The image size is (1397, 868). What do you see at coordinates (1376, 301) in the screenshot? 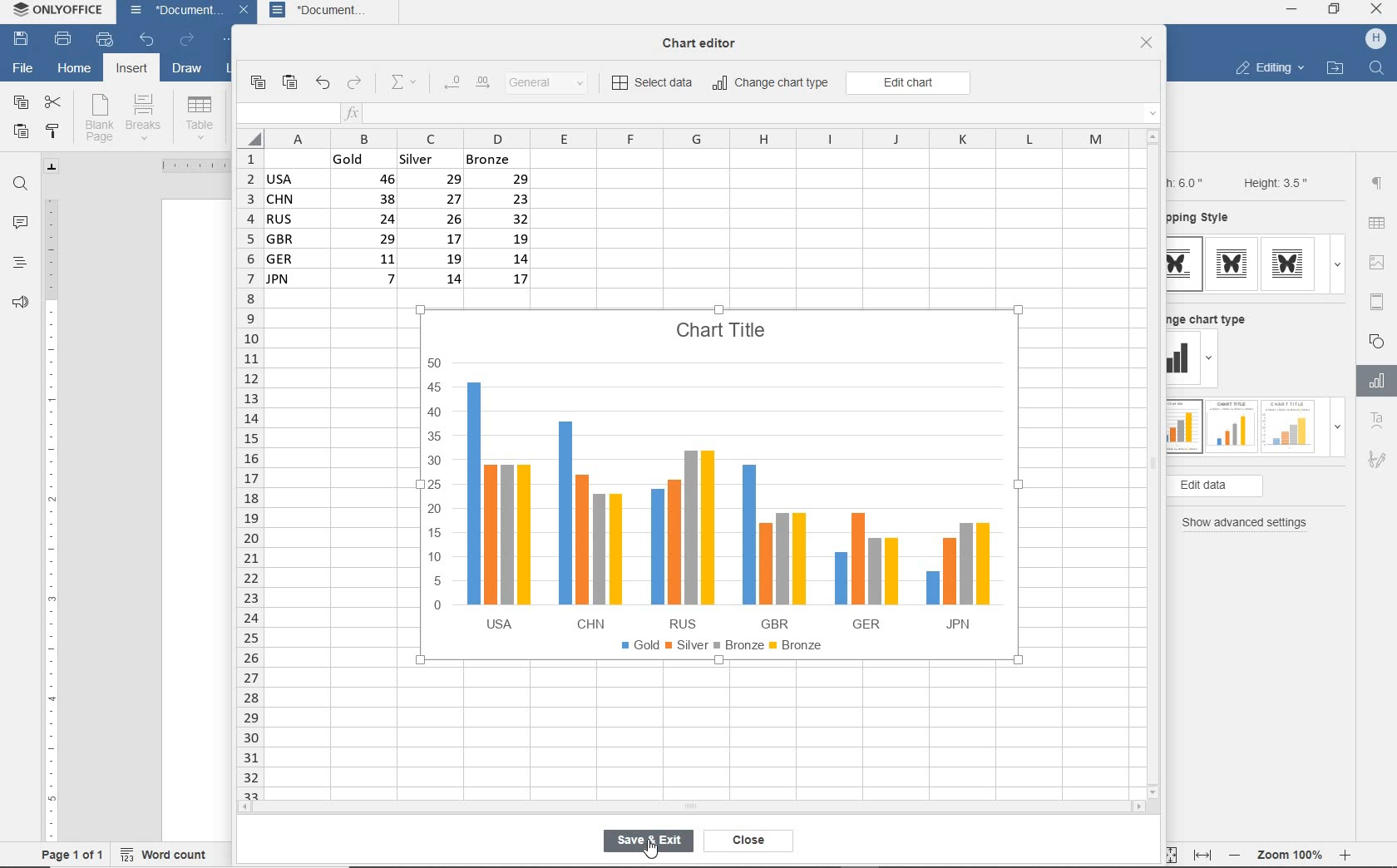
I see `header & footer` at bounding box center [1376, 301].